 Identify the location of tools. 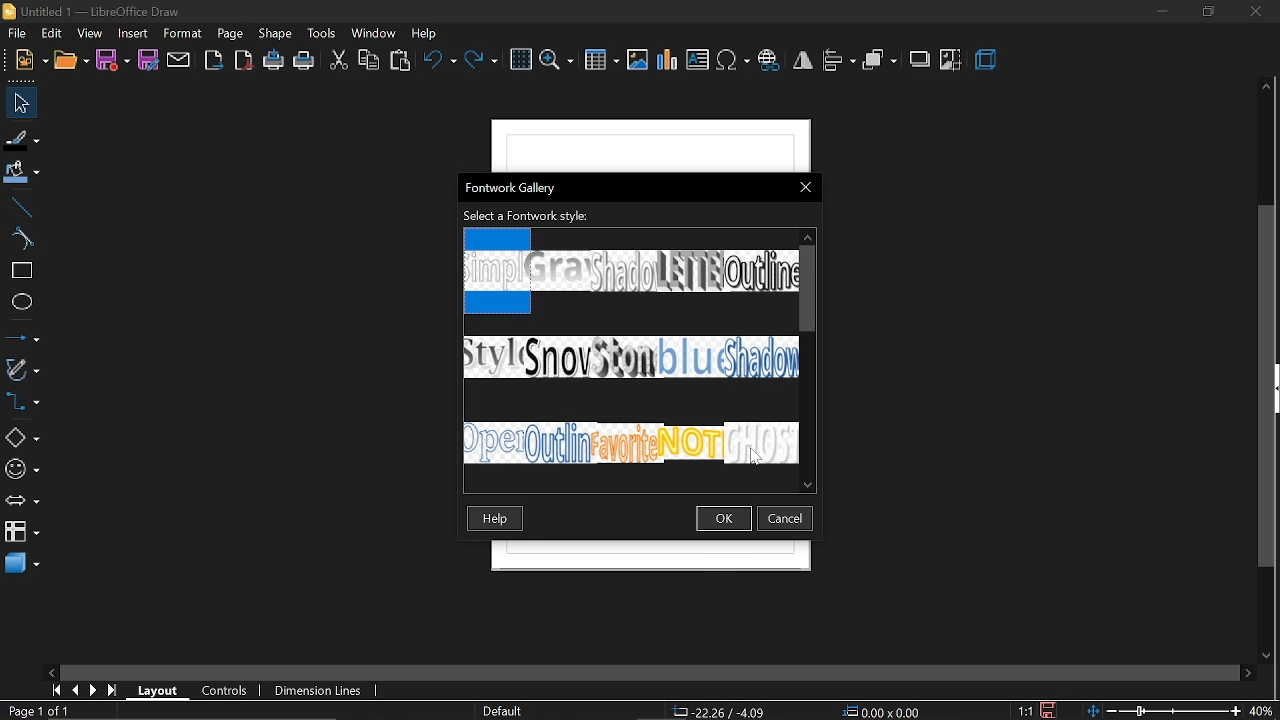
(322, 34).